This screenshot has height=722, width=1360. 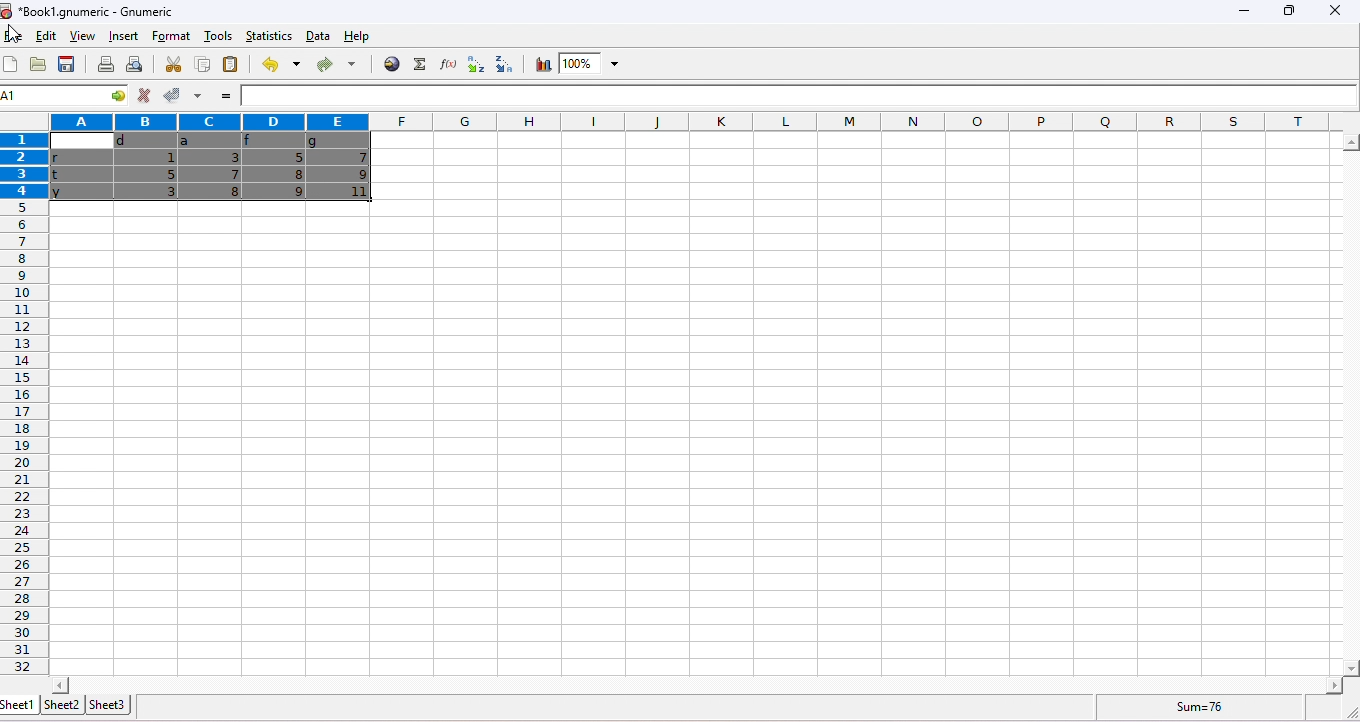 What do you see at coordinates (107, 704) in the screenshot?
I see `sheet3` at bounding box center [107, 704].